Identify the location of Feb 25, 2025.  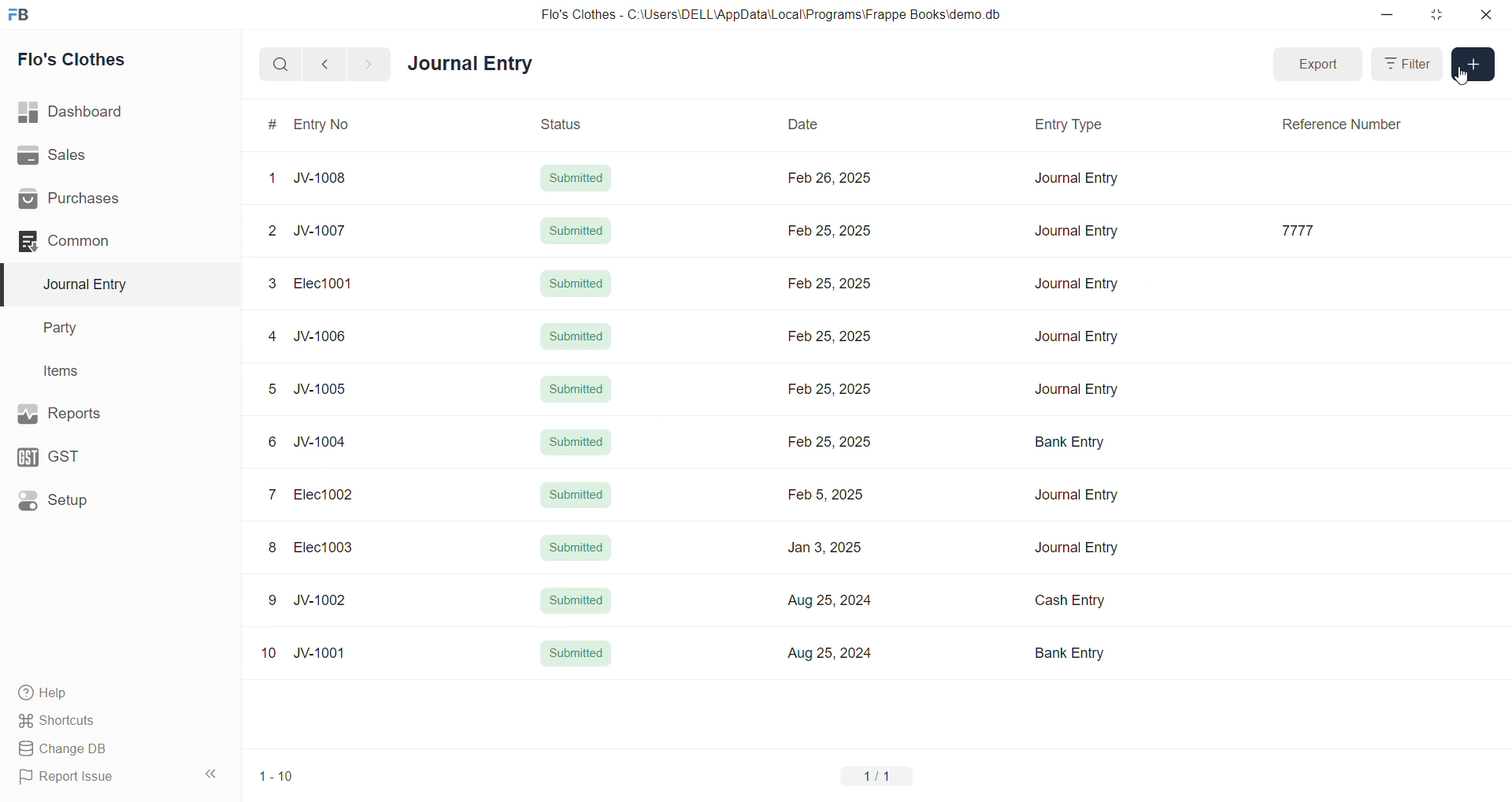
(828, 232).